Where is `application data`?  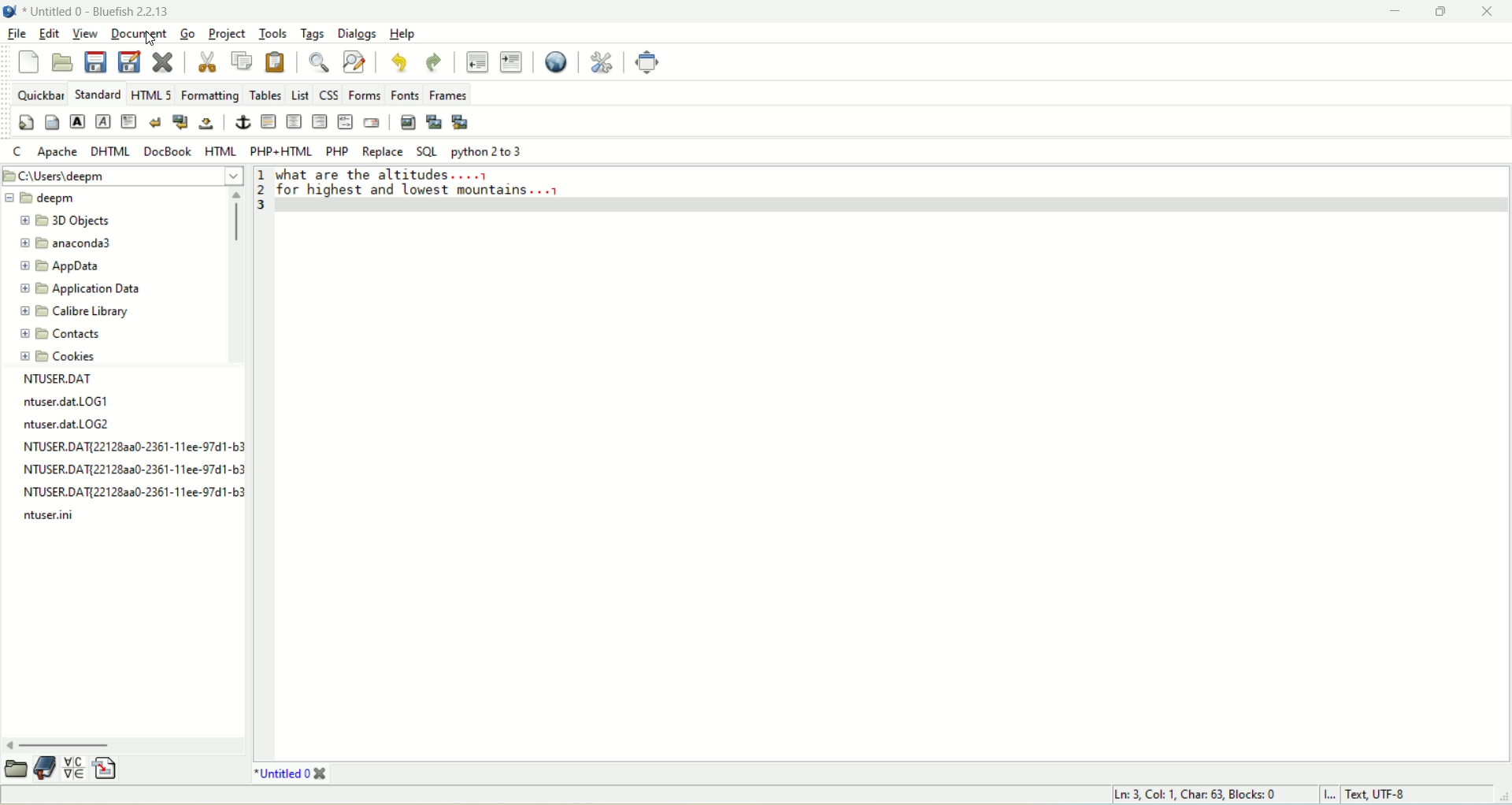
application data is located at coordinates (80, 290).